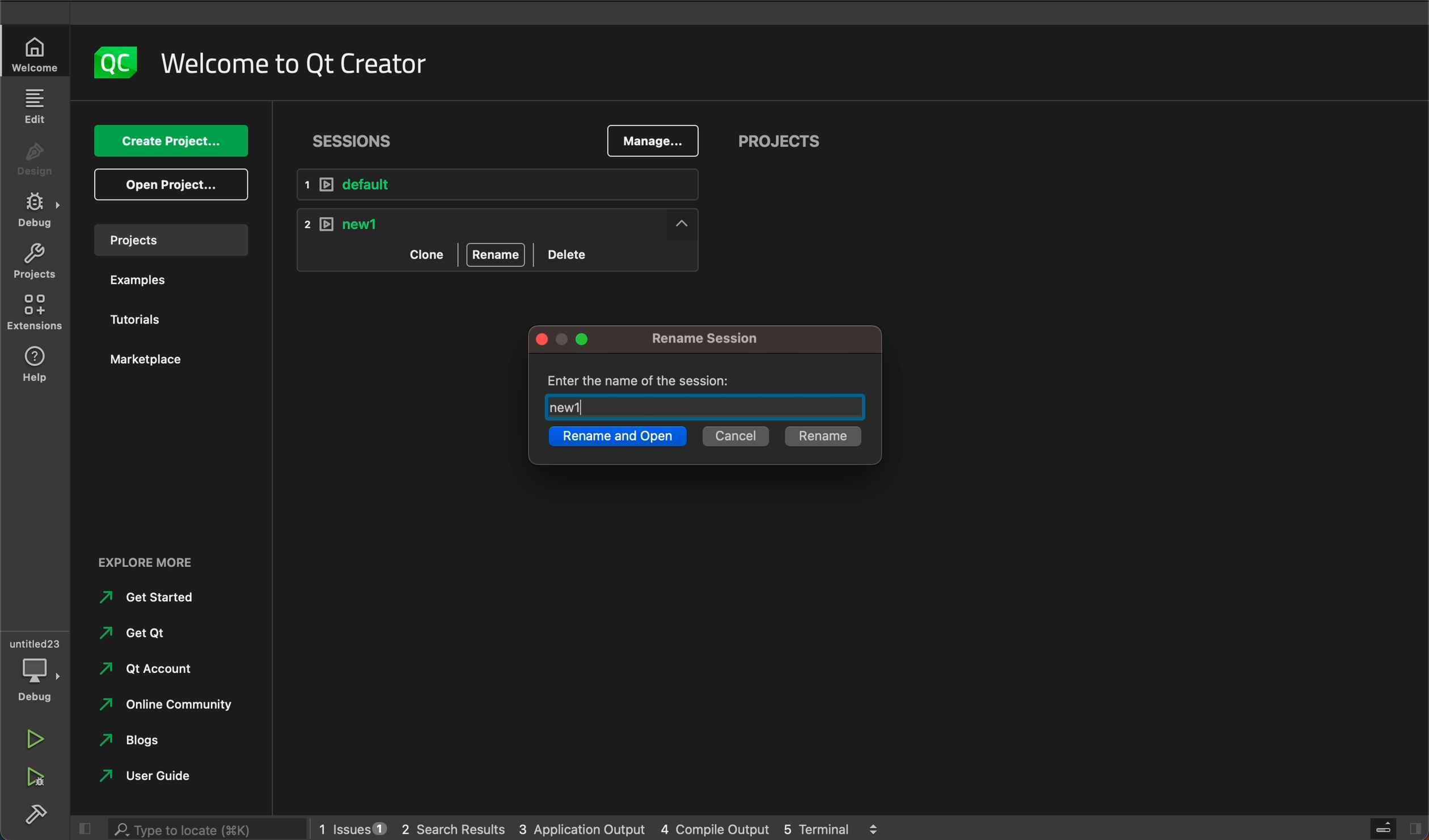 This screenshot has height=840, width=1429. I want to click on blogs, so click(138, 740).